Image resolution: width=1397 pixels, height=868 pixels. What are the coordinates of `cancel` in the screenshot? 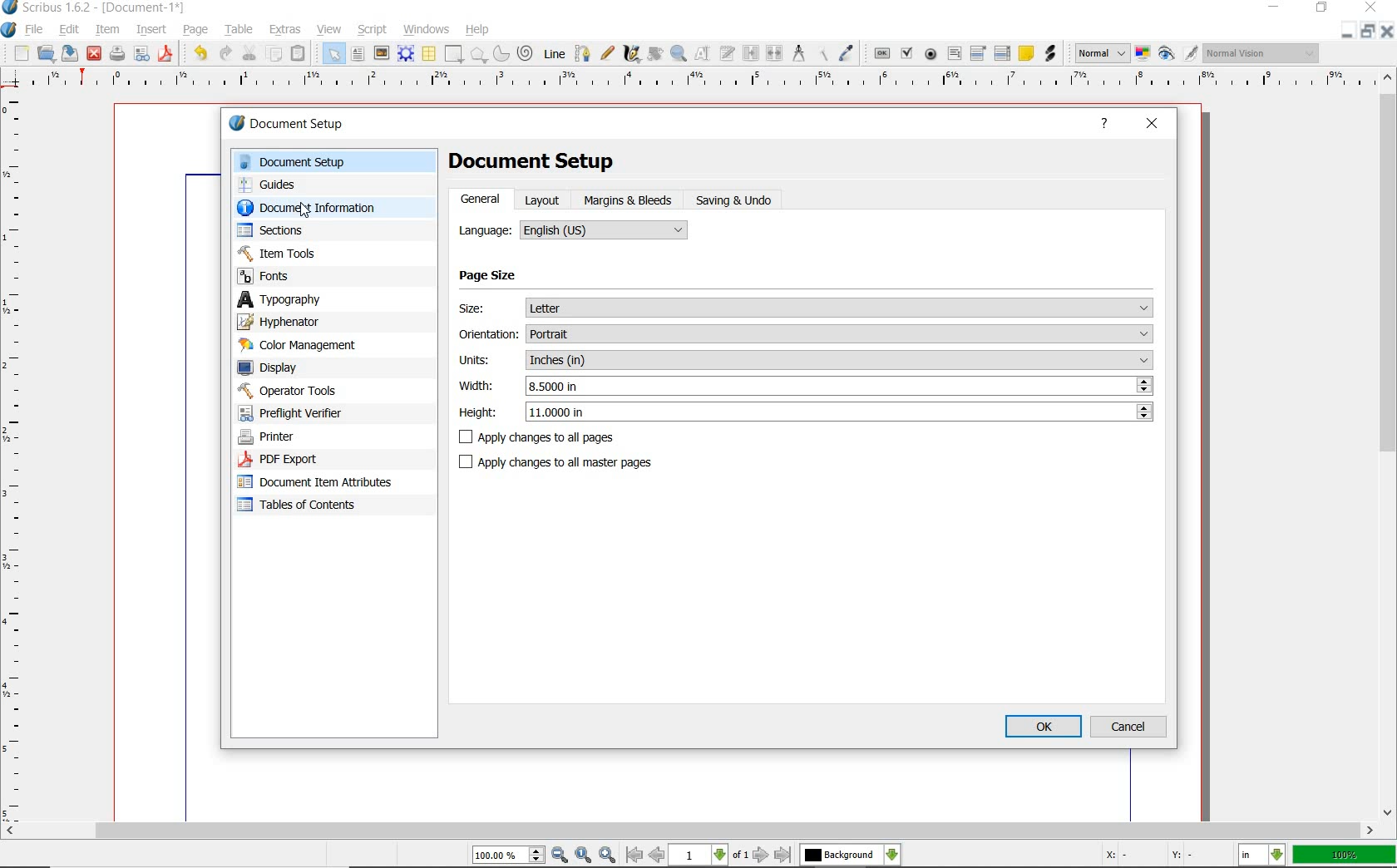 It's located at (1131, 726).